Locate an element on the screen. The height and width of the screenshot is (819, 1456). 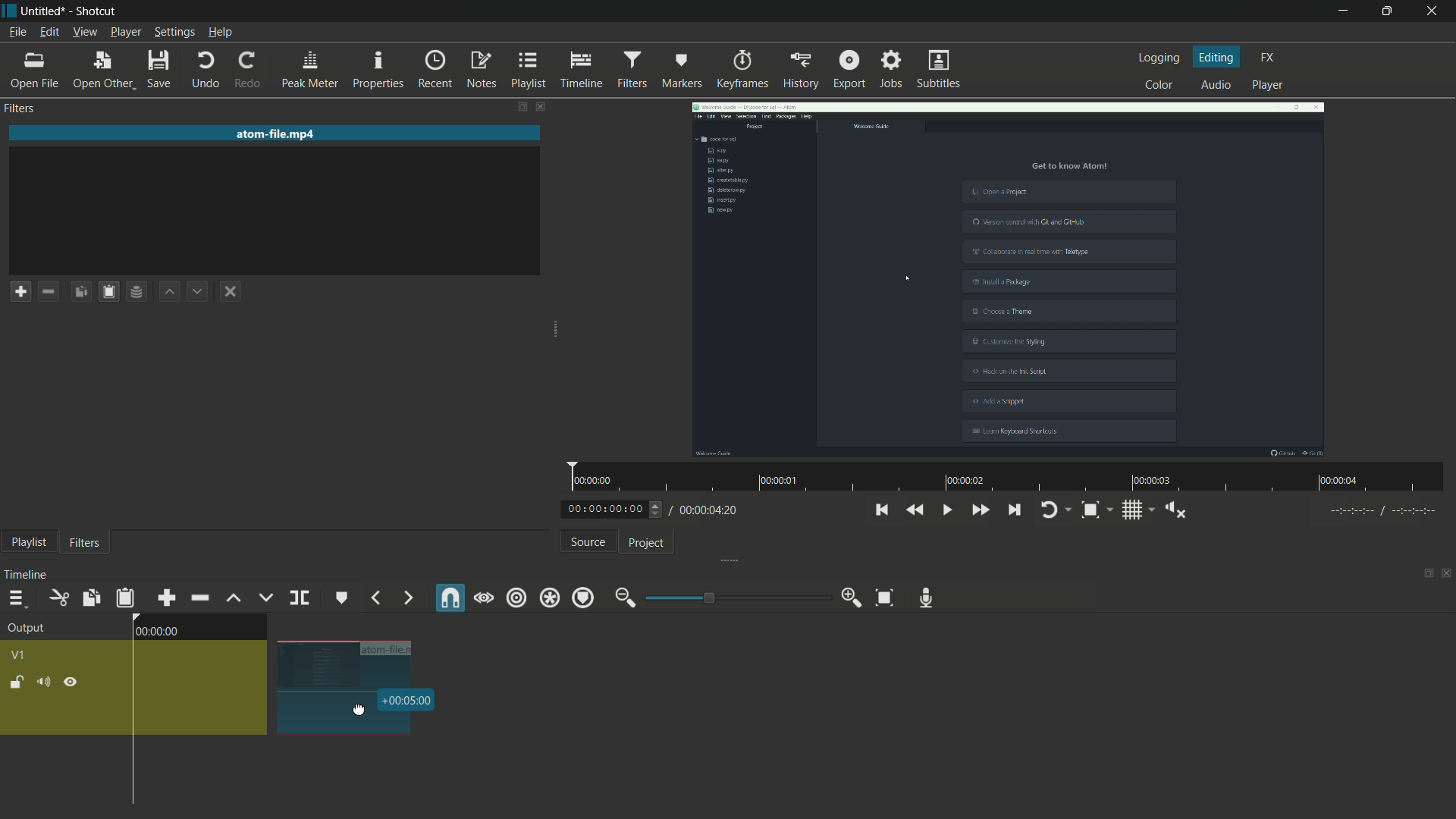
filters is located at coordinates (20, 109).